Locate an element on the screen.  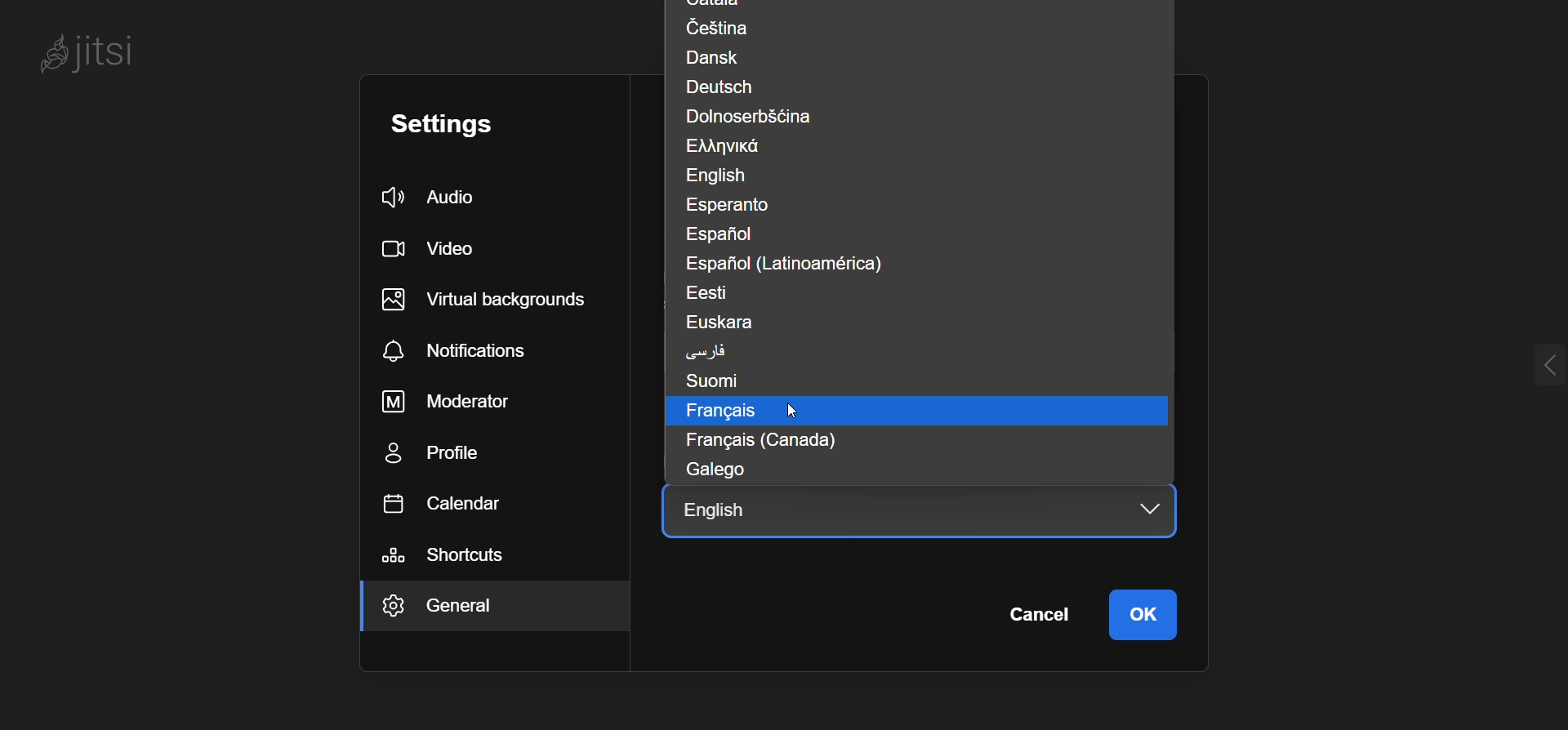
Dansk is located at coordinates (715, 56).